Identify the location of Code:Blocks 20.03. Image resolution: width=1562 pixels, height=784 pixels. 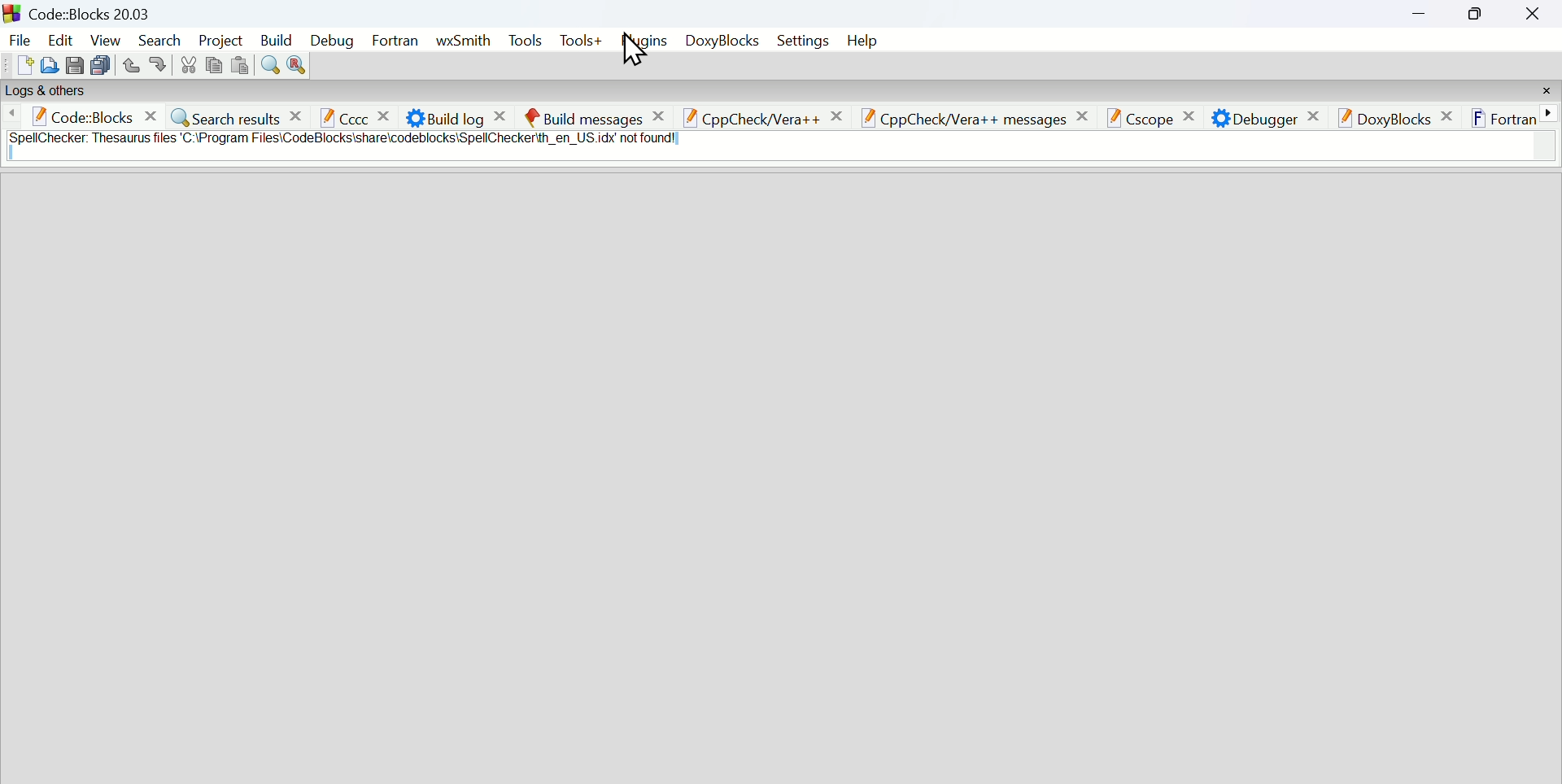
(94, 11).